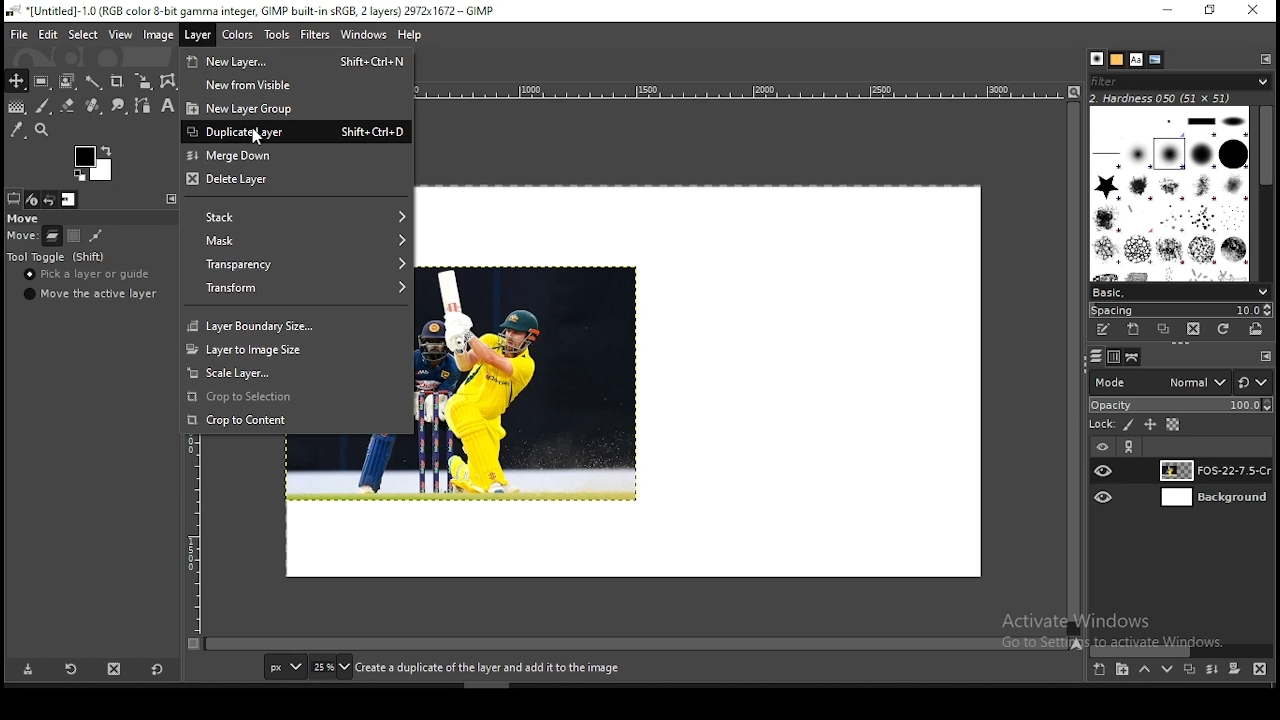 The width and height of the screenshot is (1280, 720). Describe the element at coordinates (93, 163) in the screenshot. I see `colors` at that location.